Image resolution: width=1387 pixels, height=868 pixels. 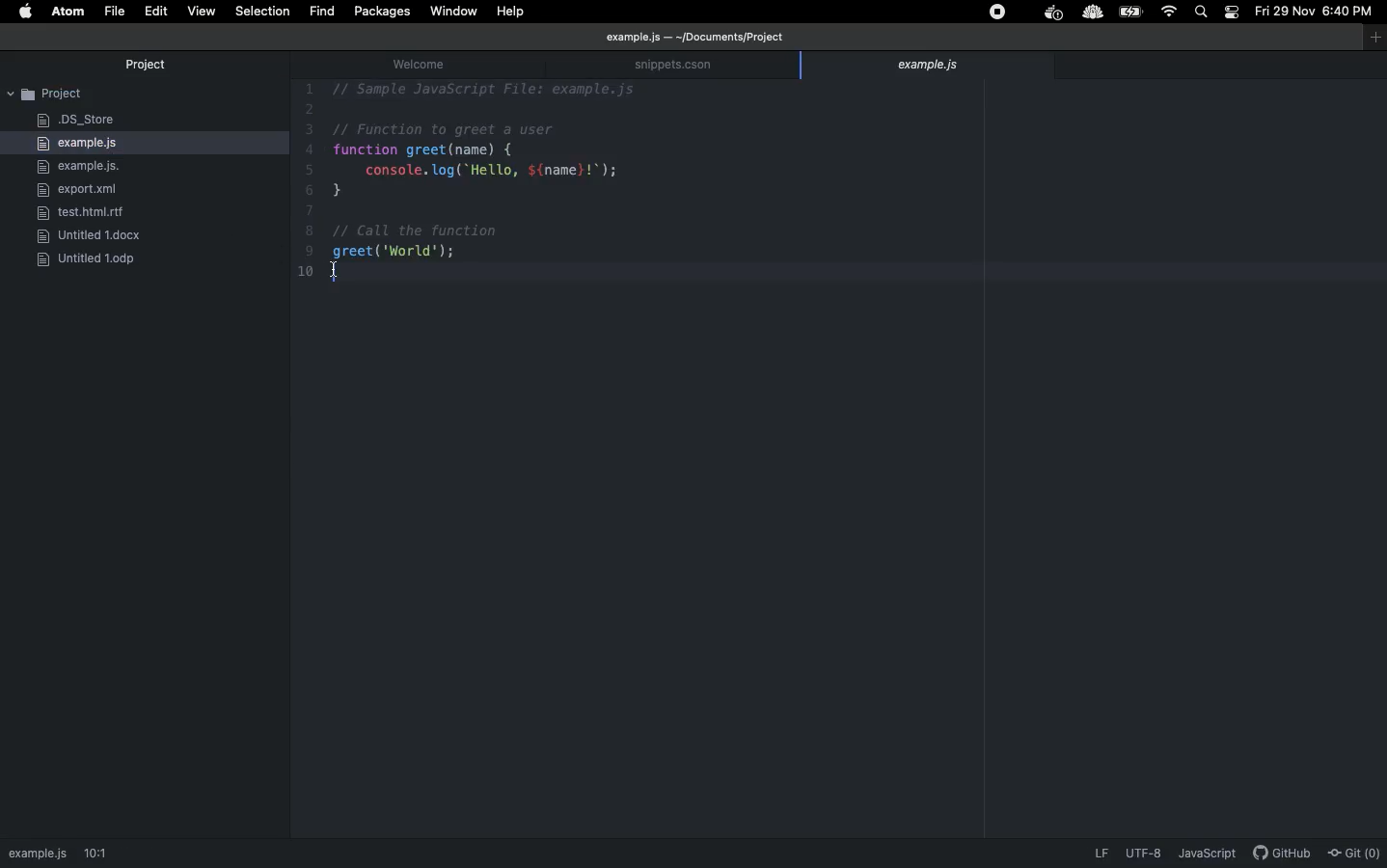 I want to click on 1:1, so click(x=106, y=852).